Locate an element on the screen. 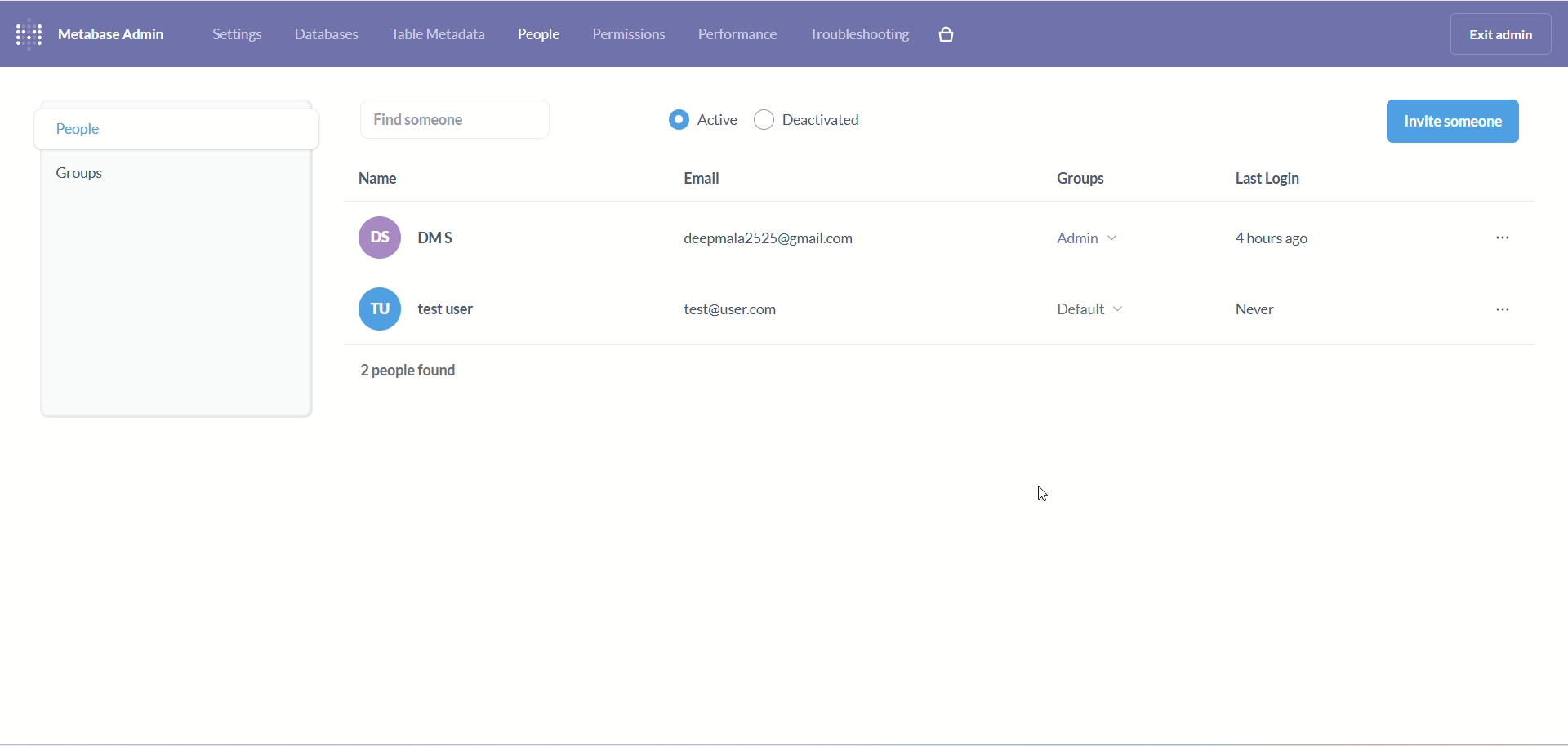 This screenshot has width=1568, height=746. people is located at coordinates (546, 34).